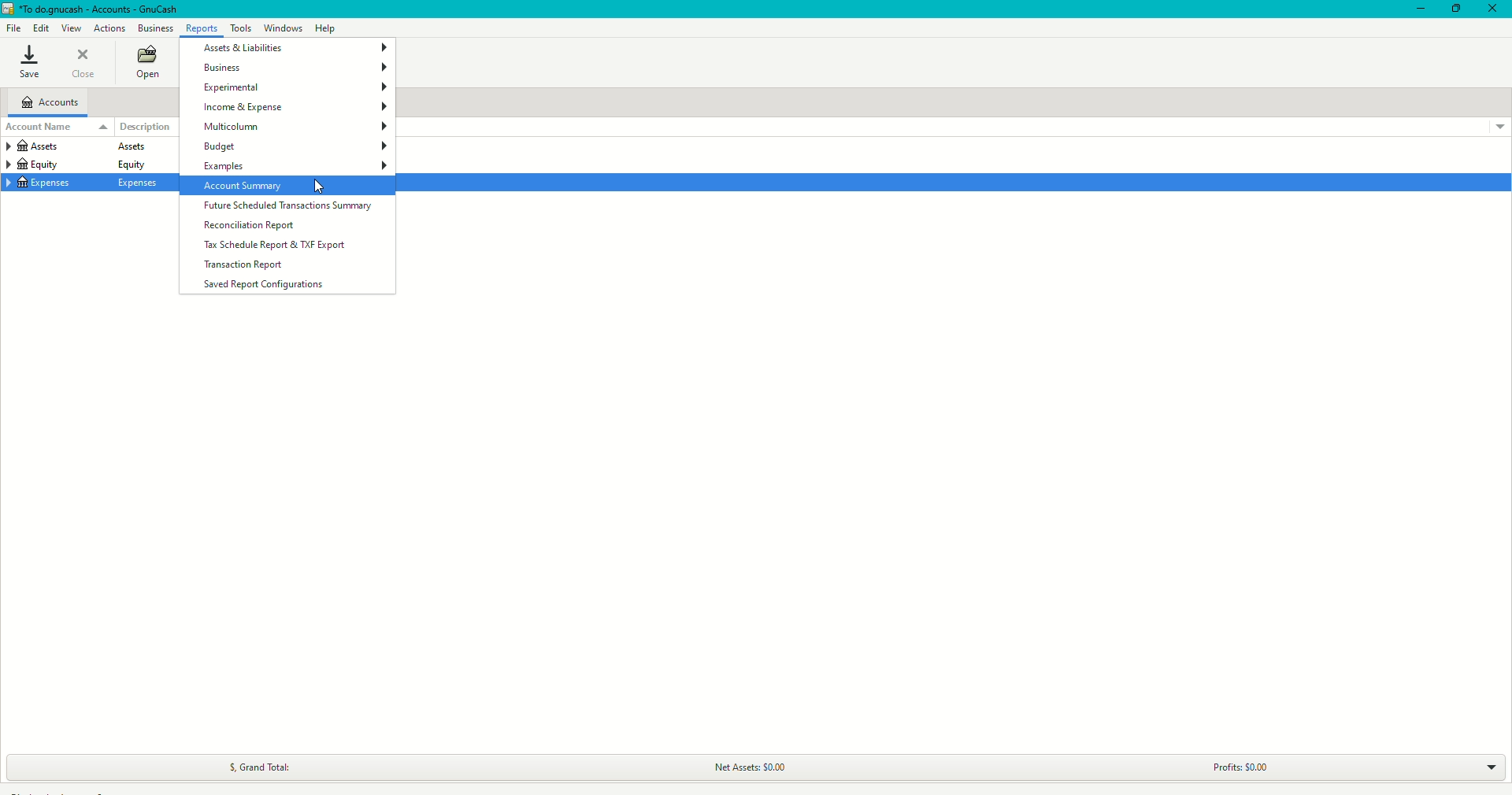  What do you see at coordinates (72, 29) in the screenshot?
I see `View` at bounding box center [72, 29].